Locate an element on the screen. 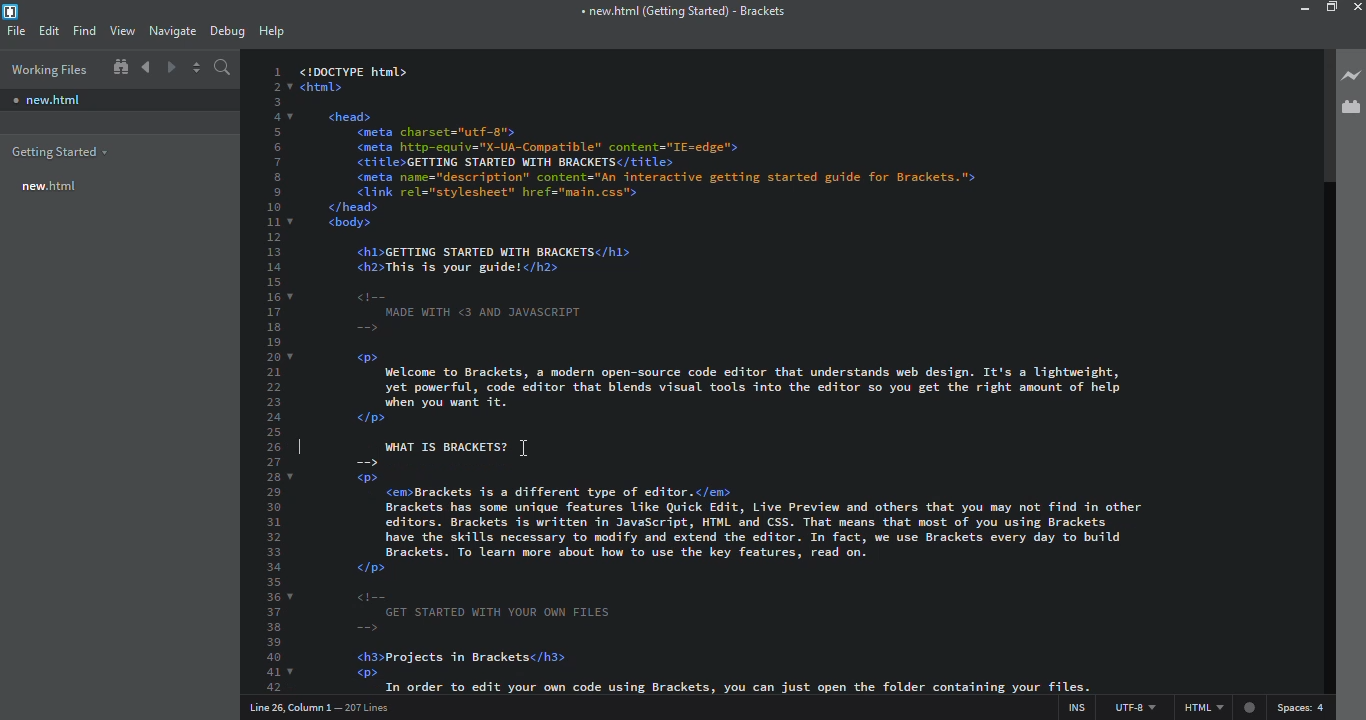  live preview is located at coordinates (1352, 75).